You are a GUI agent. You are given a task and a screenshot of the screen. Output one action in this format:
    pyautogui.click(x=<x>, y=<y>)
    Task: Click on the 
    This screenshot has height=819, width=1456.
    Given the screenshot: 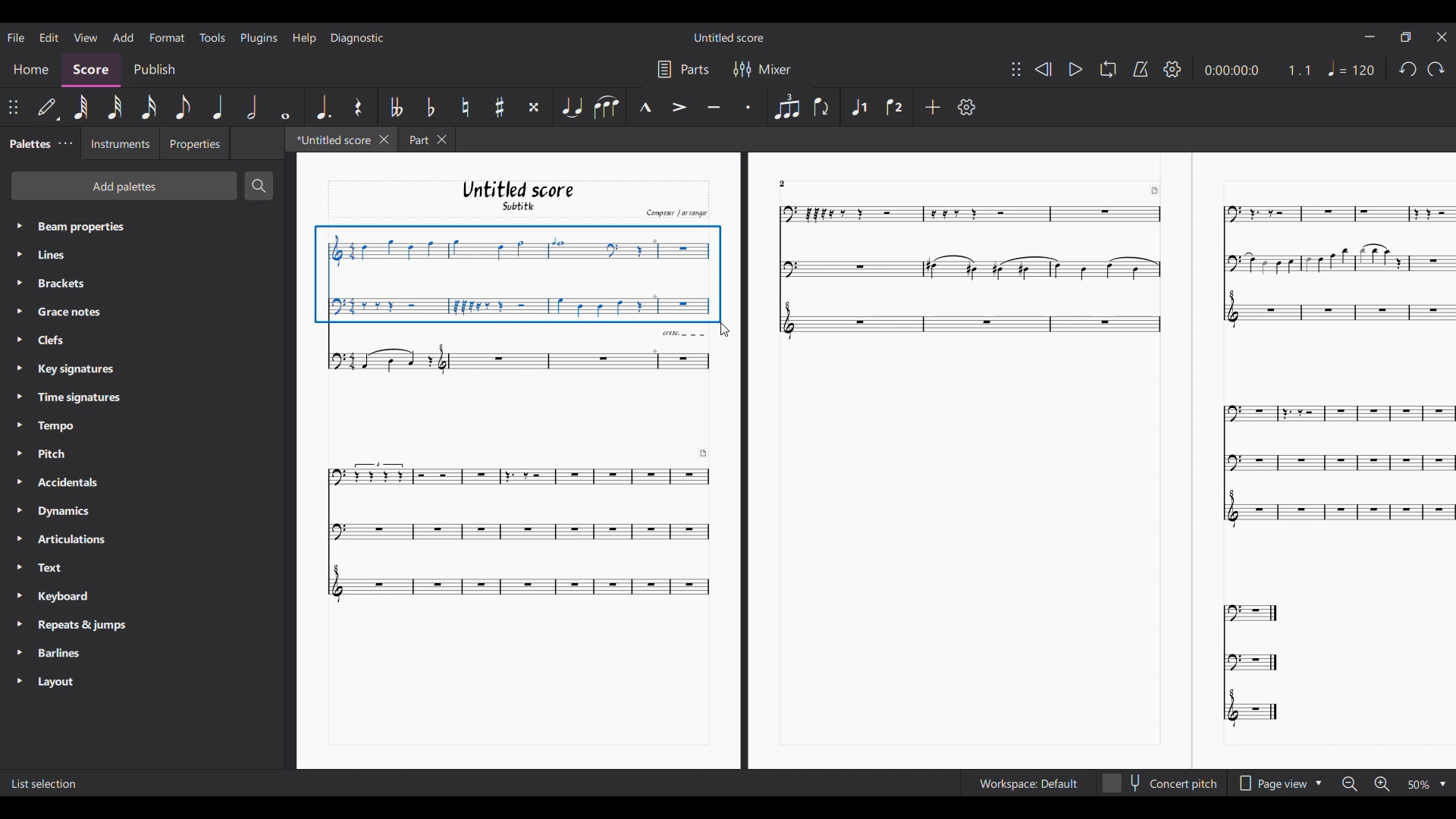 What is the action you would take?
    pyautogui.click(x=18, y=312)
    